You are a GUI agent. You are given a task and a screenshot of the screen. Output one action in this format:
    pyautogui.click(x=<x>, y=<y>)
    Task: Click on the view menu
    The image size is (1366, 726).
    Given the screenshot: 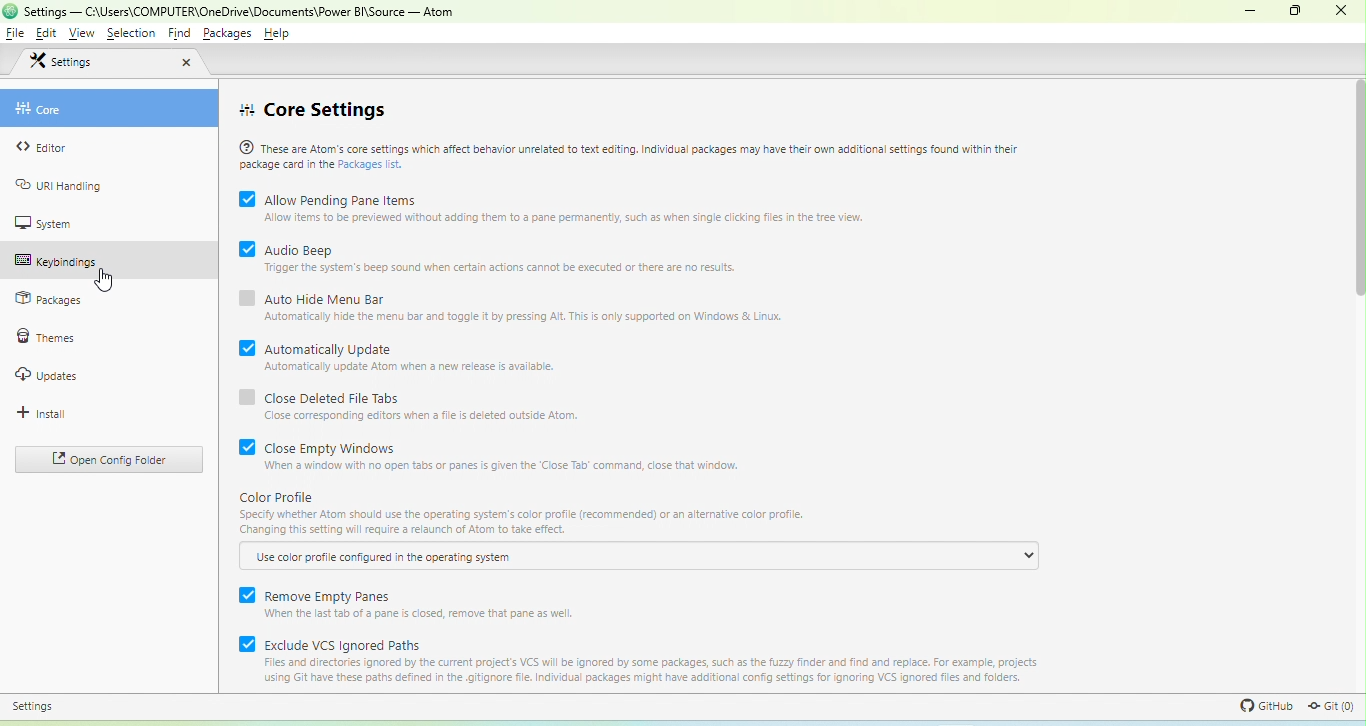 What is the action you would take?
    pyautogui.click(x=82, y=33)
    